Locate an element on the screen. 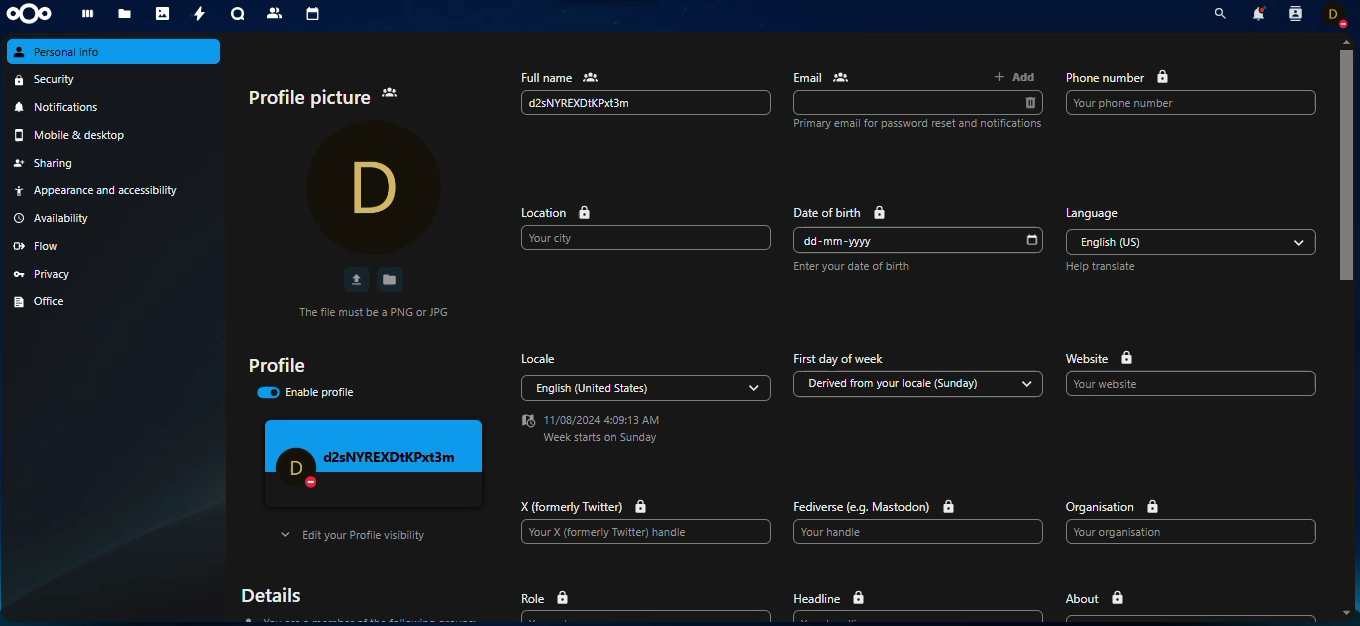  role is located at coordinates (546, 597).